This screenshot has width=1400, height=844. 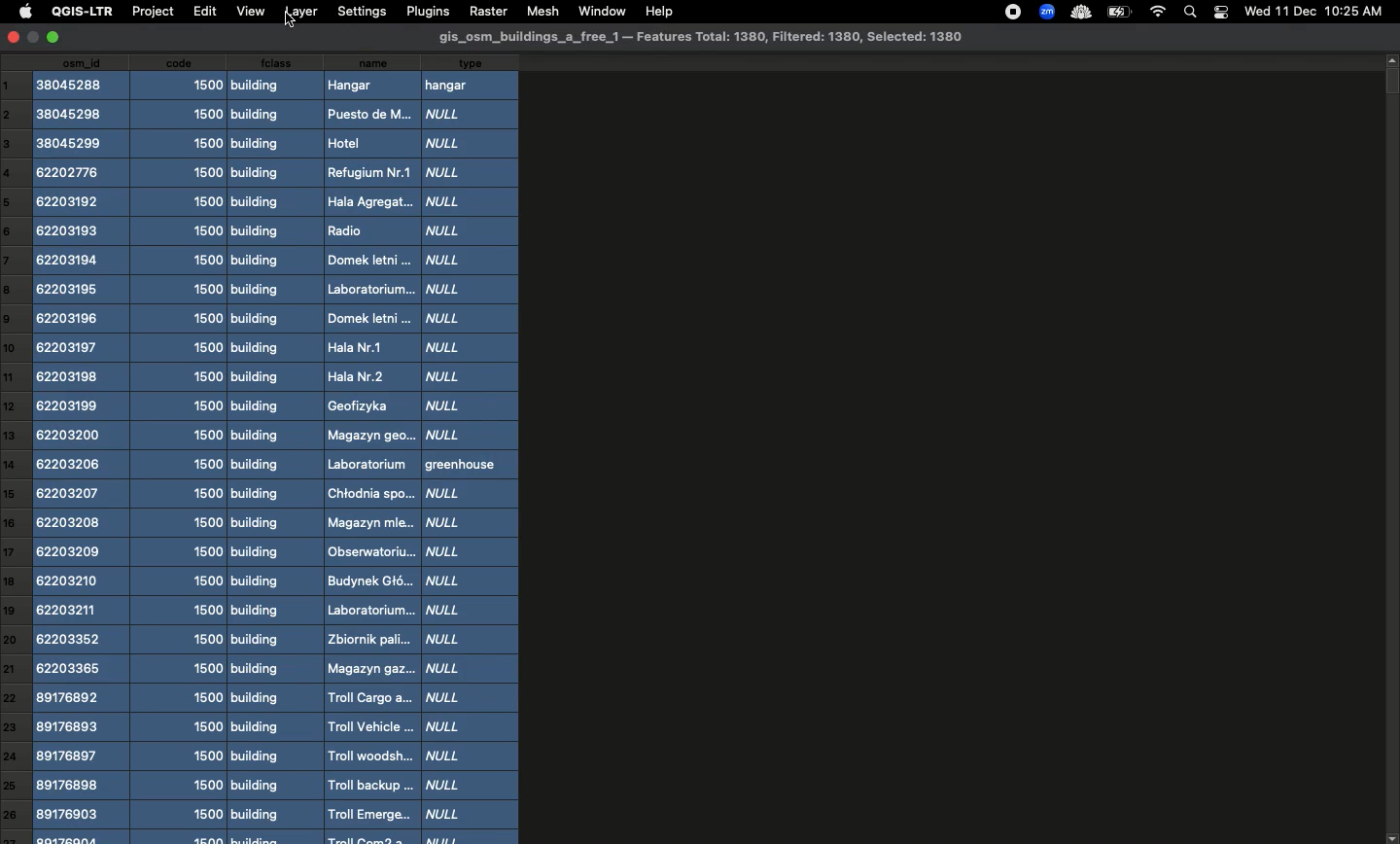 What do you see at coordinates (1220, 11) in the screenshot?
I see `Notification` at bounding box center [1220, 11].